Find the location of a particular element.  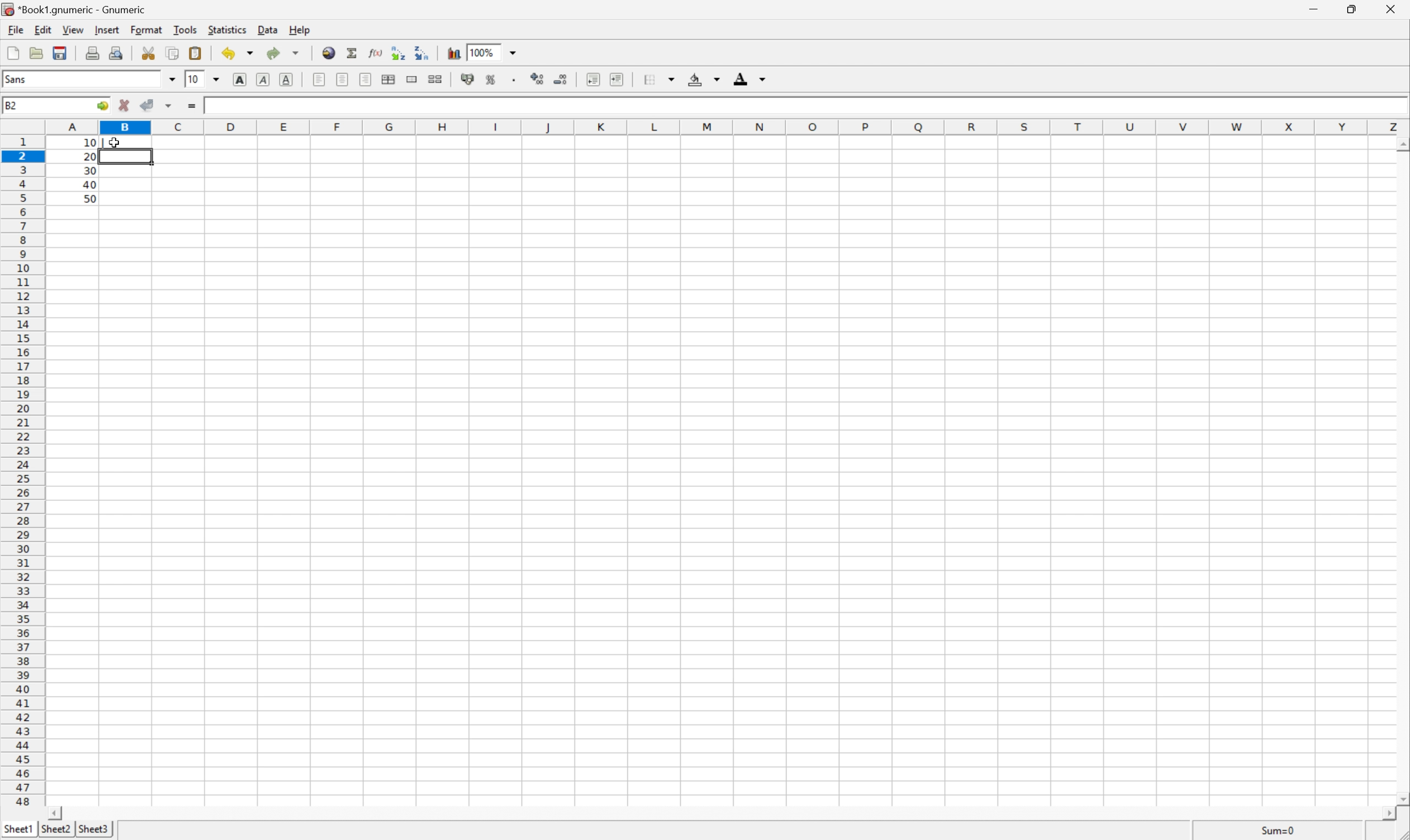

Insert is located at coordinates (106, 29).